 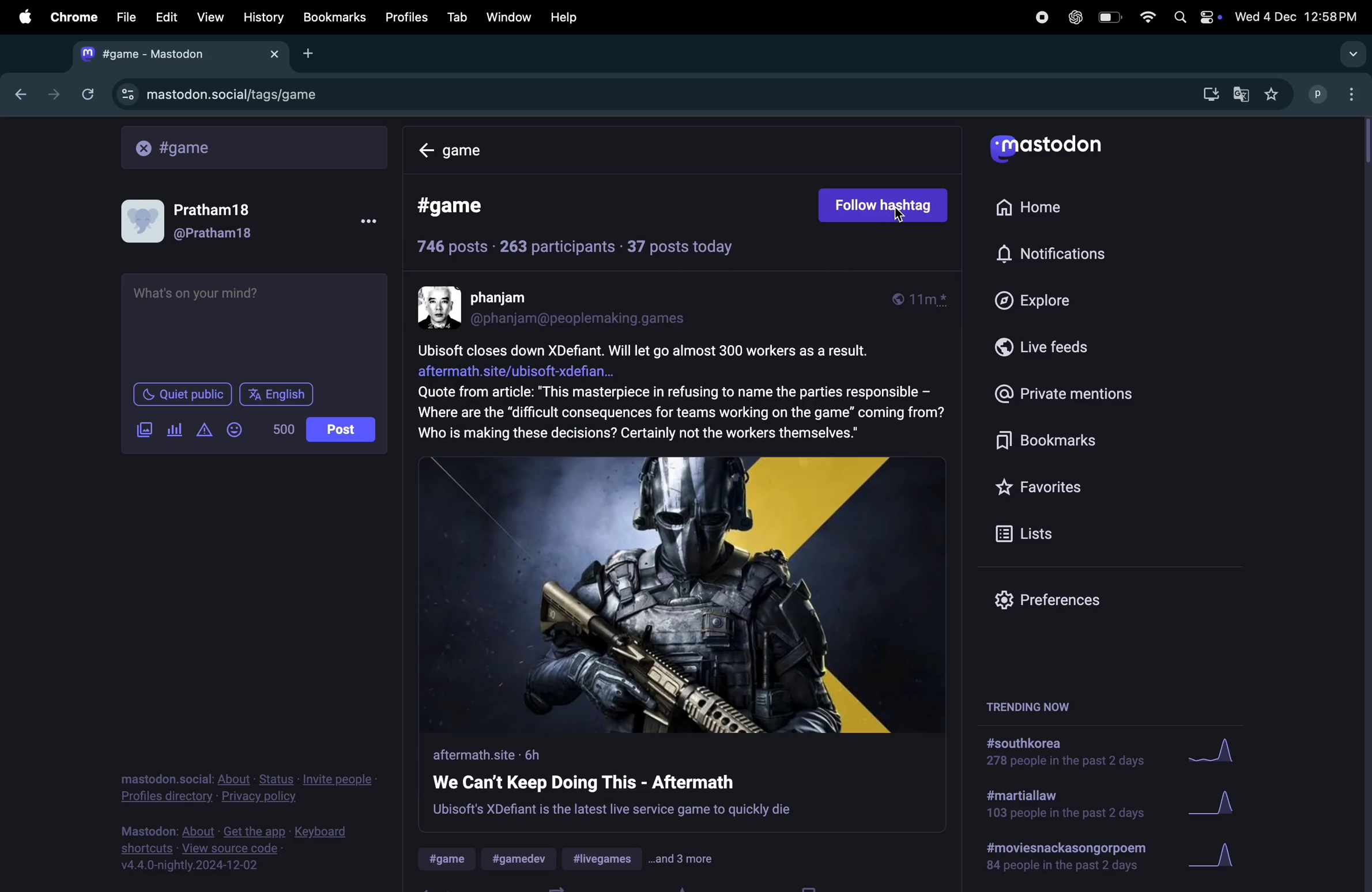 I want to click on go back, so click(x=18, y=95).